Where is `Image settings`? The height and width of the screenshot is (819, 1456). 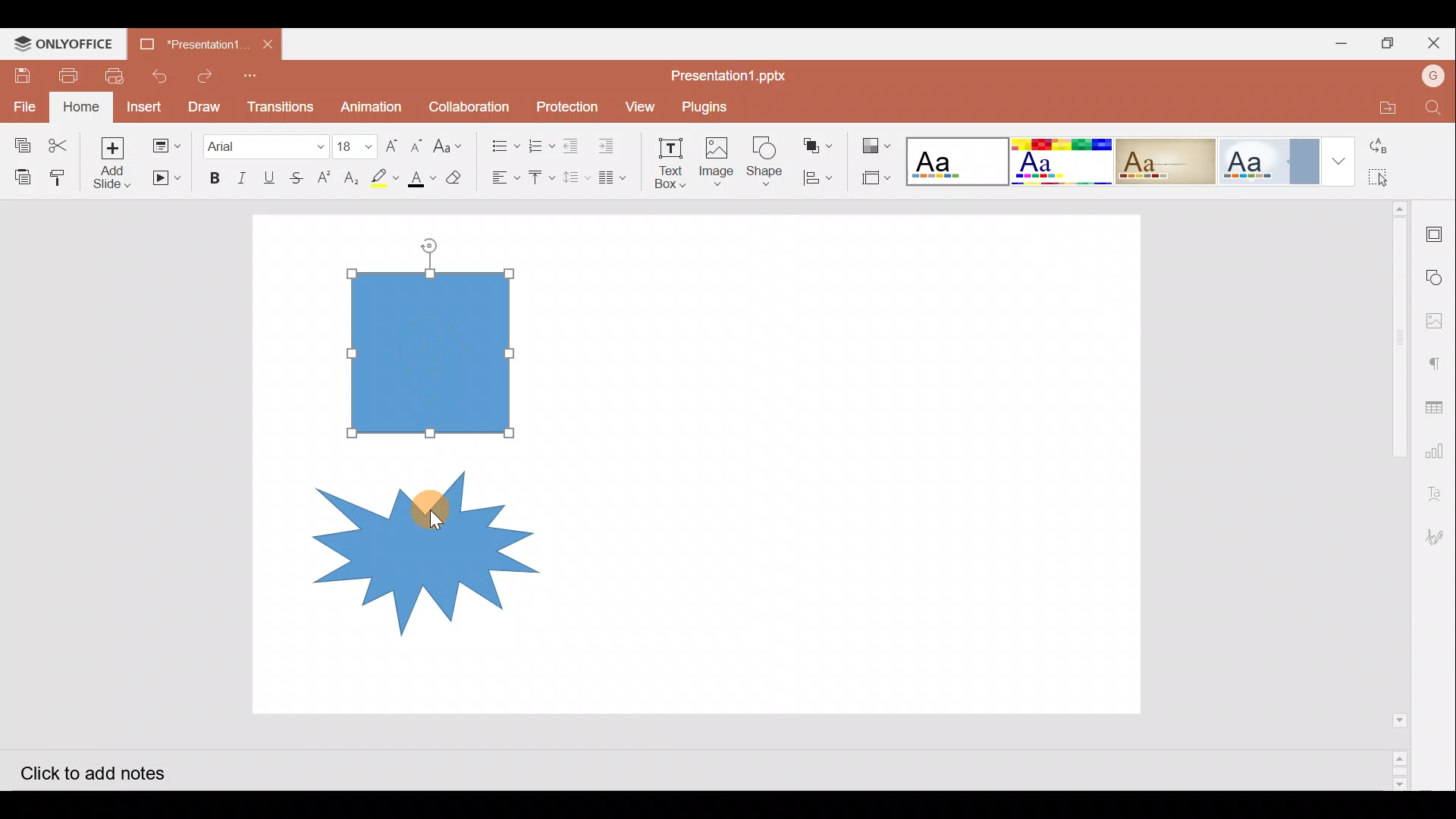 Image settings is located at coordinates (1439, 316).